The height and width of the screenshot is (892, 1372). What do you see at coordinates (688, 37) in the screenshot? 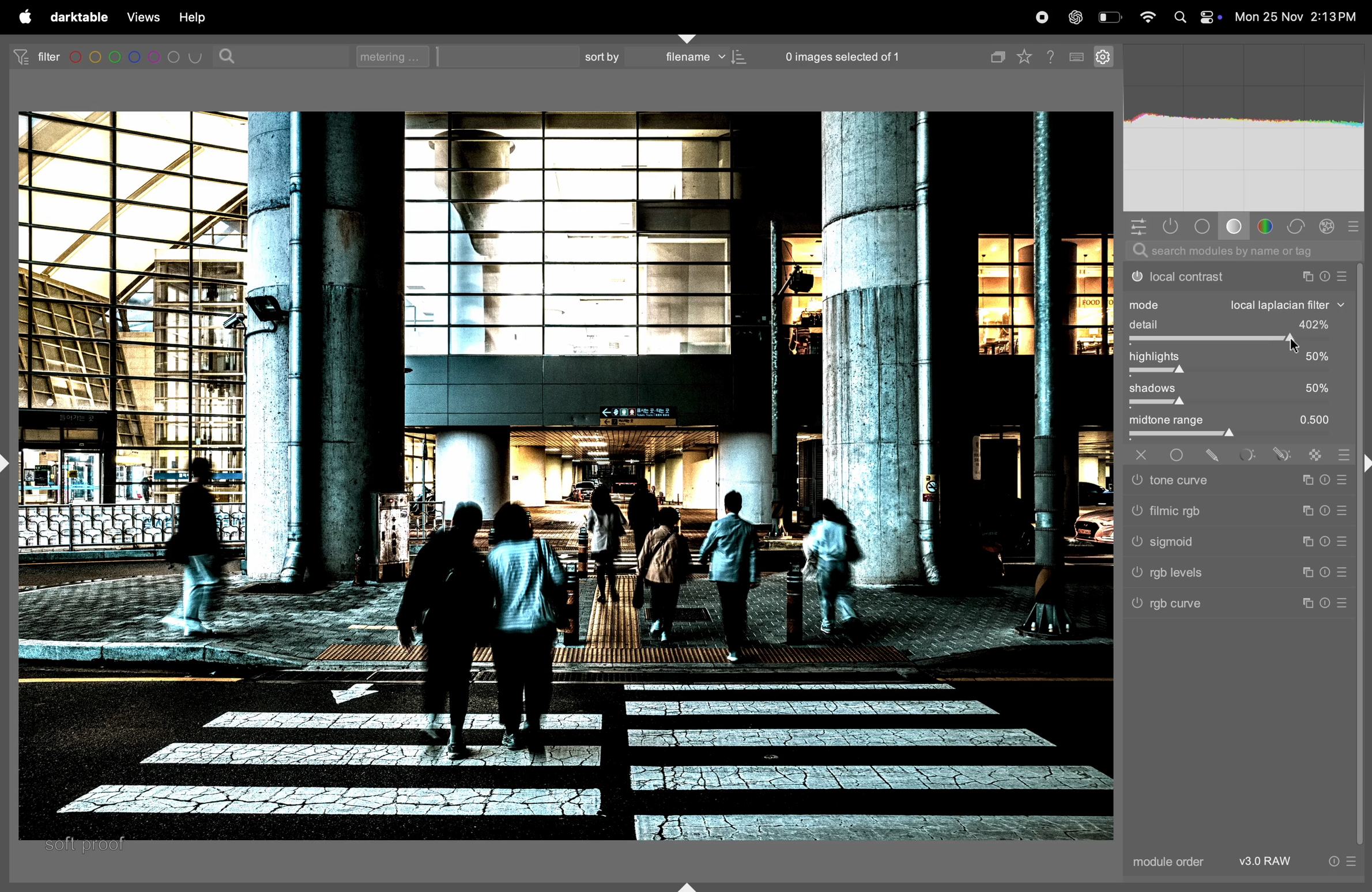
I see `shift+ctrl+t` at bounding box center [688, 37].